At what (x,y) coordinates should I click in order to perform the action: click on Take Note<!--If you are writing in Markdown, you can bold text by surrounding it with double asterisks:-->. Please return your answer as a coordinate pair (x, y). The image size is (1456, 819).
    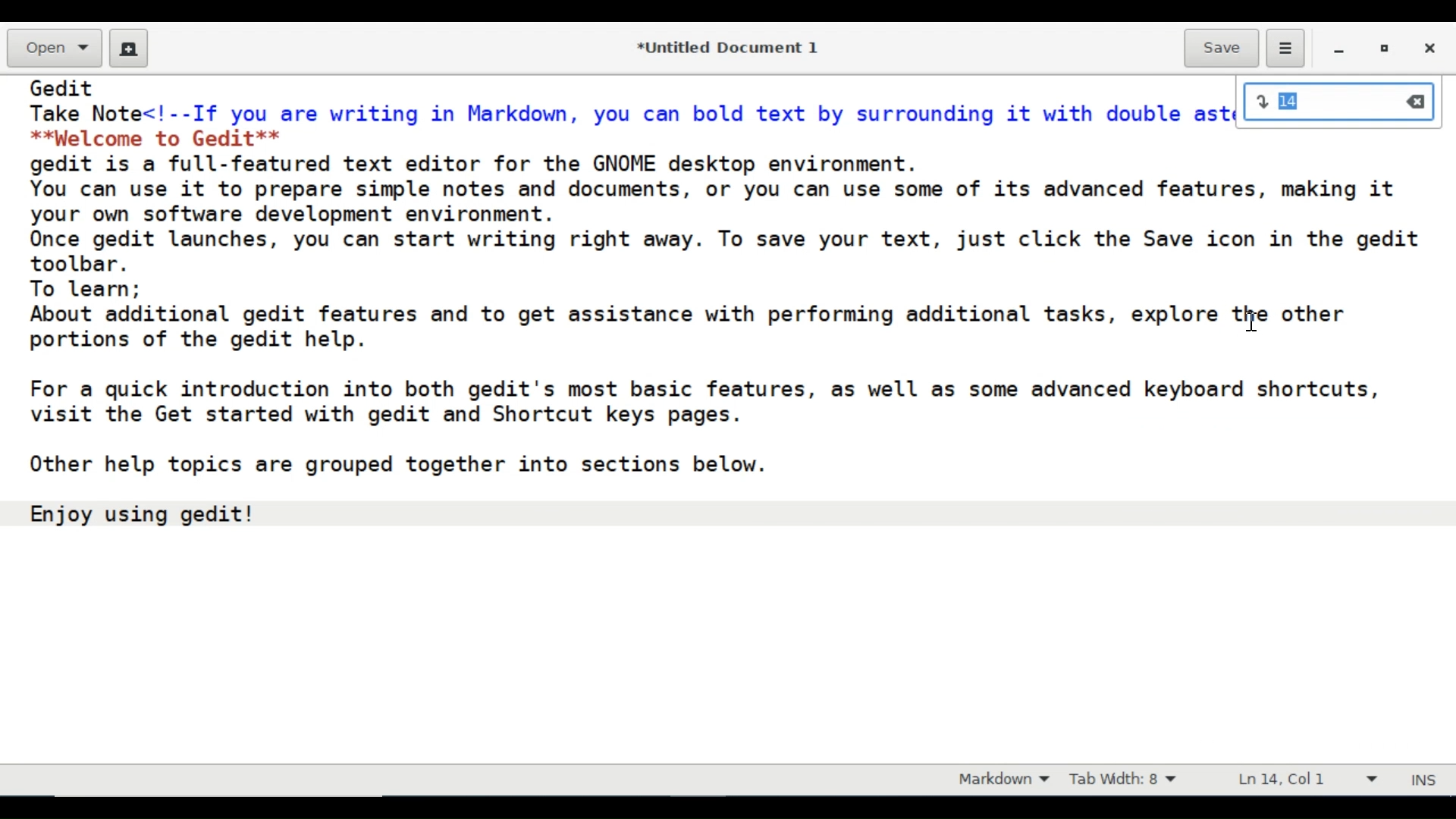
    Looking at the image, I should click on (632, 111).